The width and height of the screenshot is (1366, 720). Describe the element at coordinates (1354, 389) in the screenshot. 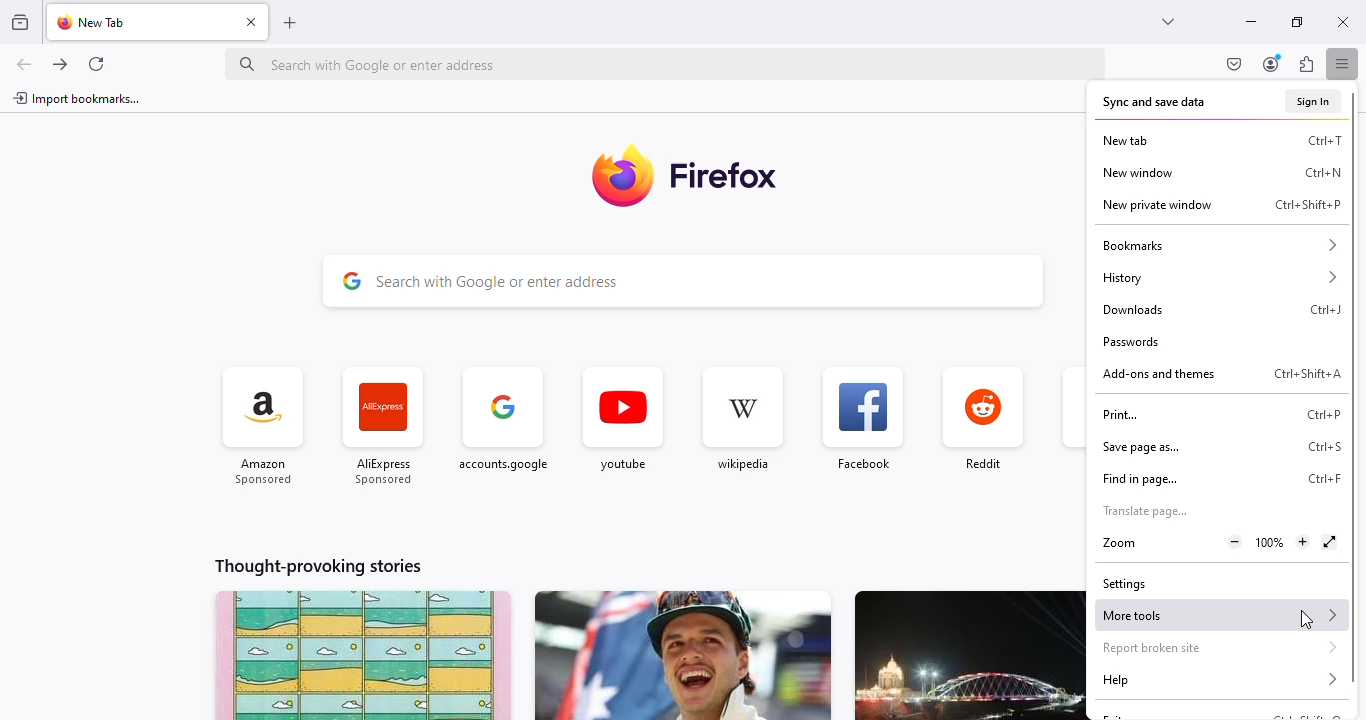

I see `vertical scroll bar` at that location.